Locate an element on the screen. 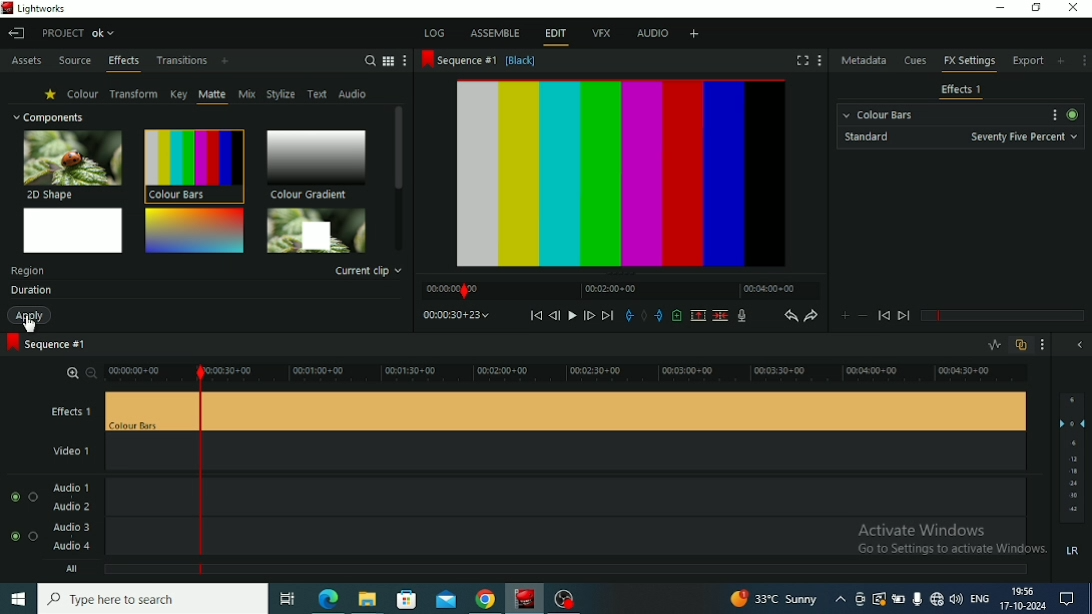 The height and width of the screenshot is (614, 1092). video recorder is located at coordinates (862, 599).